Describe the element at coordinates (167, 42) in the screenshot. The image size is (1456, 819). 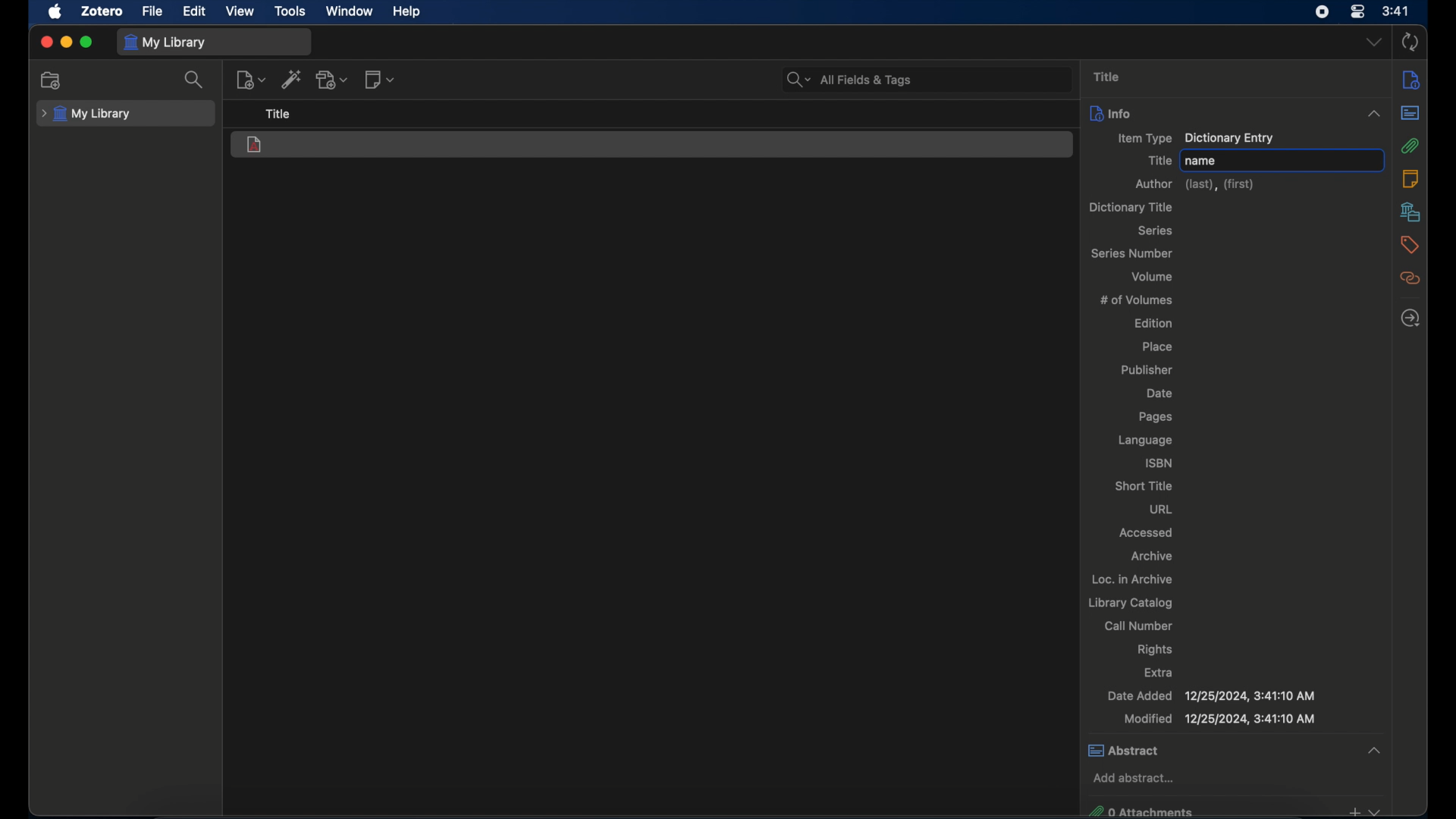
I see `my library` at that location.